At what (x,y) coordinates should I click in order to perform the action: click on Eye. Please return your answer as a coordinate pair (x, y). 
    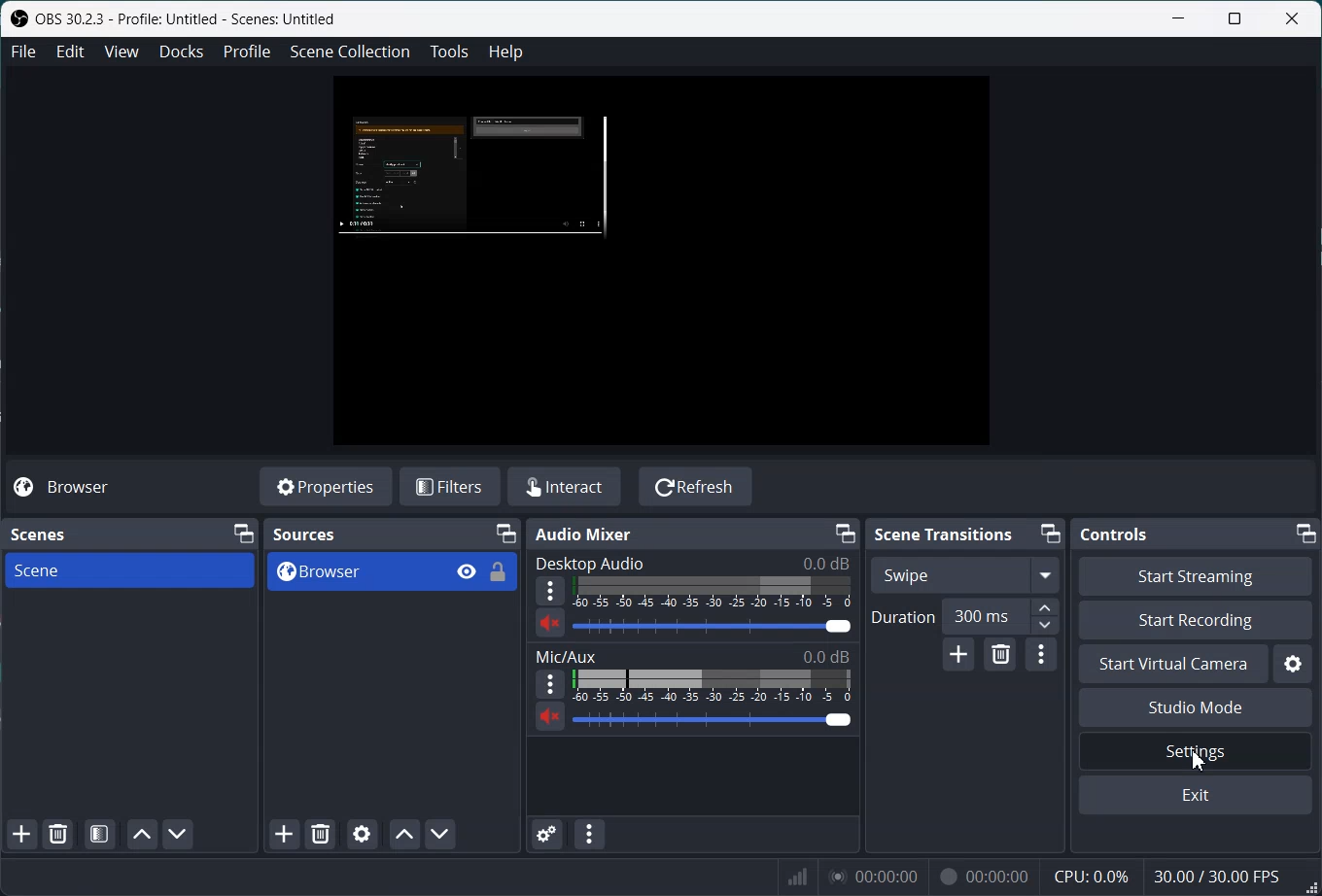
    Looking at the image, I should click on (469, 571).